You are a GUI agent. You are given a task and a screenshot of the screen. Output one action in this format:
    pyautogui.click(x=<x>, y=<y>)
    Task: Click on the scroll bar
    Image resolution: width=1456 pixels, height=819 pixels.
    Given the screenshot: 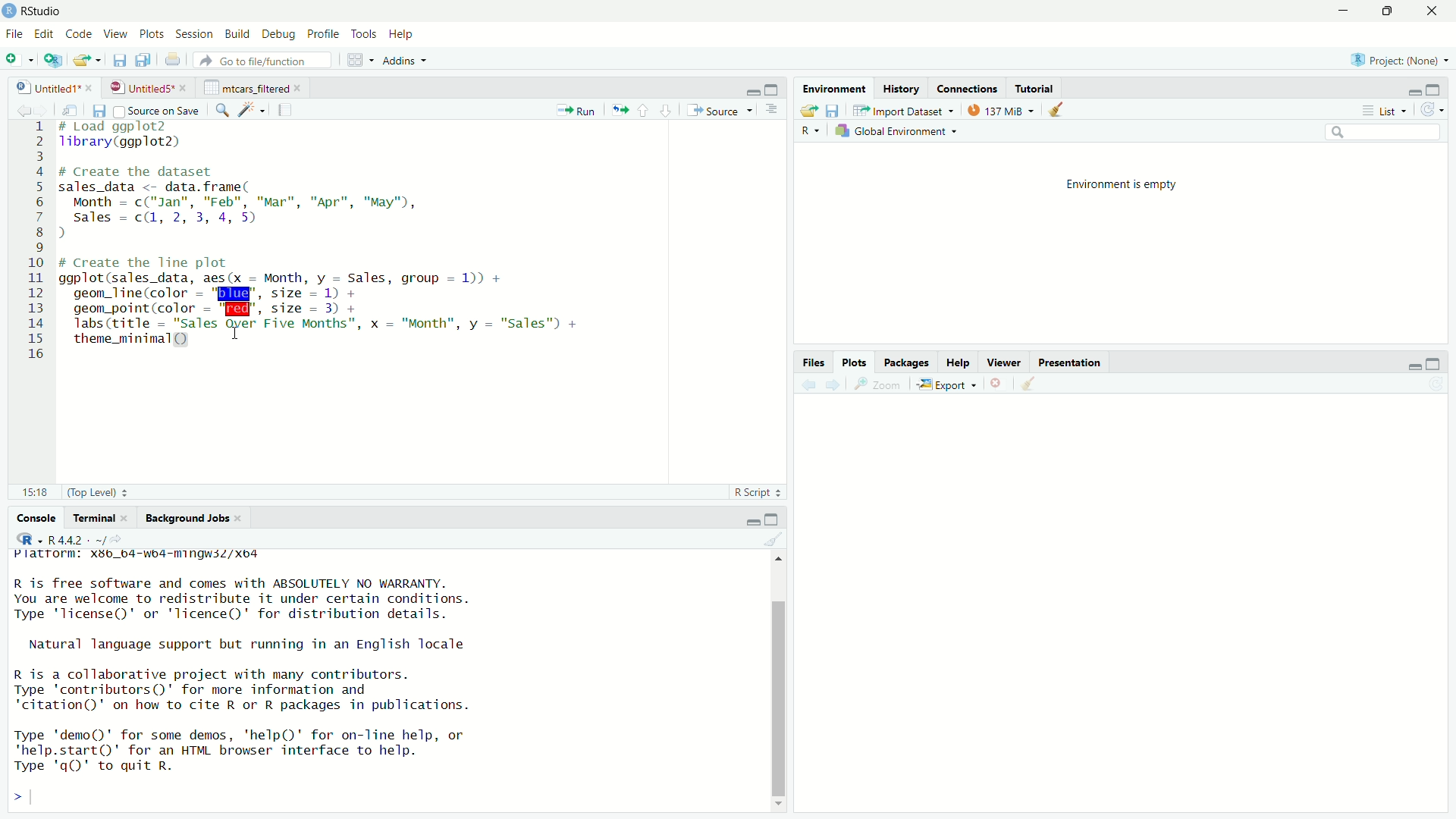 What is the action you would take?
    pyautogui.click(x=777, y=698)
    